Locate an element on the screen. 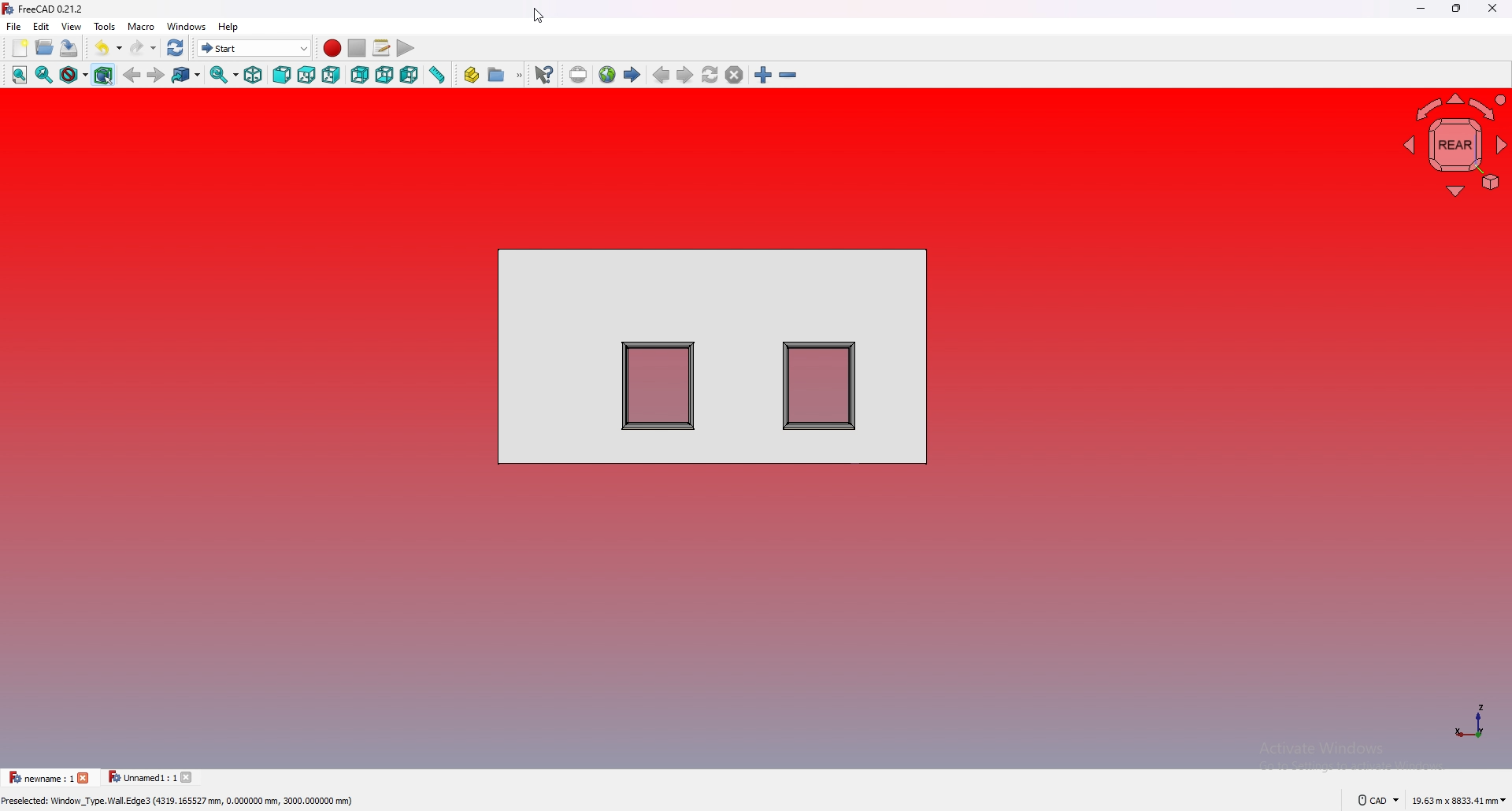 The height and width of the screenshot is (811, 1512). Preselected: Window _Type.Wall.Edge3 (4319. 165527 mm, 0.000000 mm, 3000.000000 mm) is located at coordinates (183, 801).